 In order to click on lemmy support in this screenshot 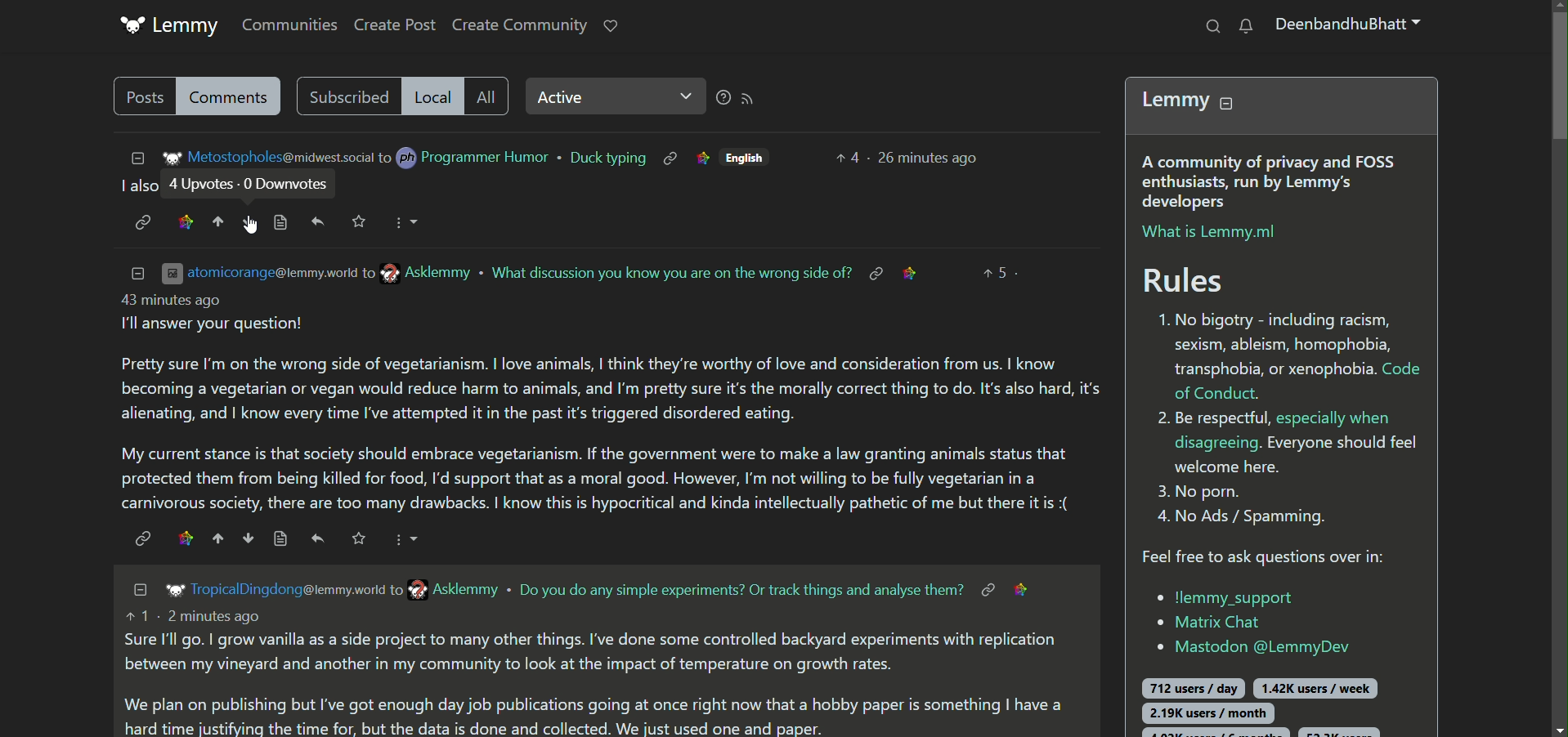, I will do `click(1225, 596)`.